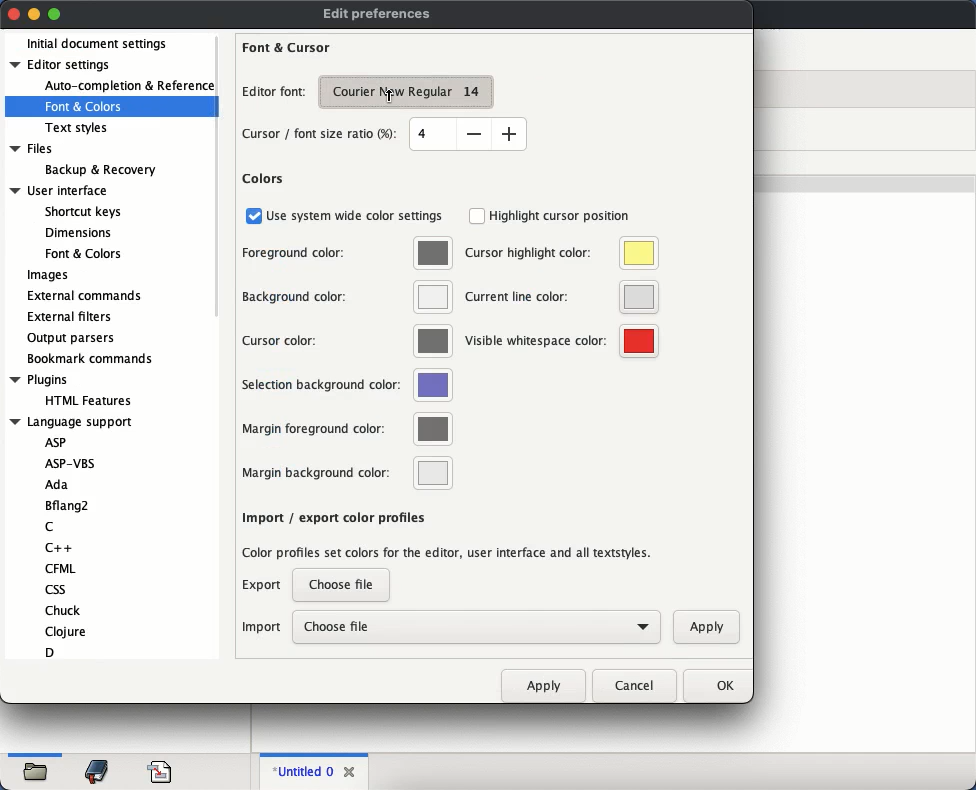 The height and width of the screenshot is (790, 976). I want to click on clojure, so click(67, 631).